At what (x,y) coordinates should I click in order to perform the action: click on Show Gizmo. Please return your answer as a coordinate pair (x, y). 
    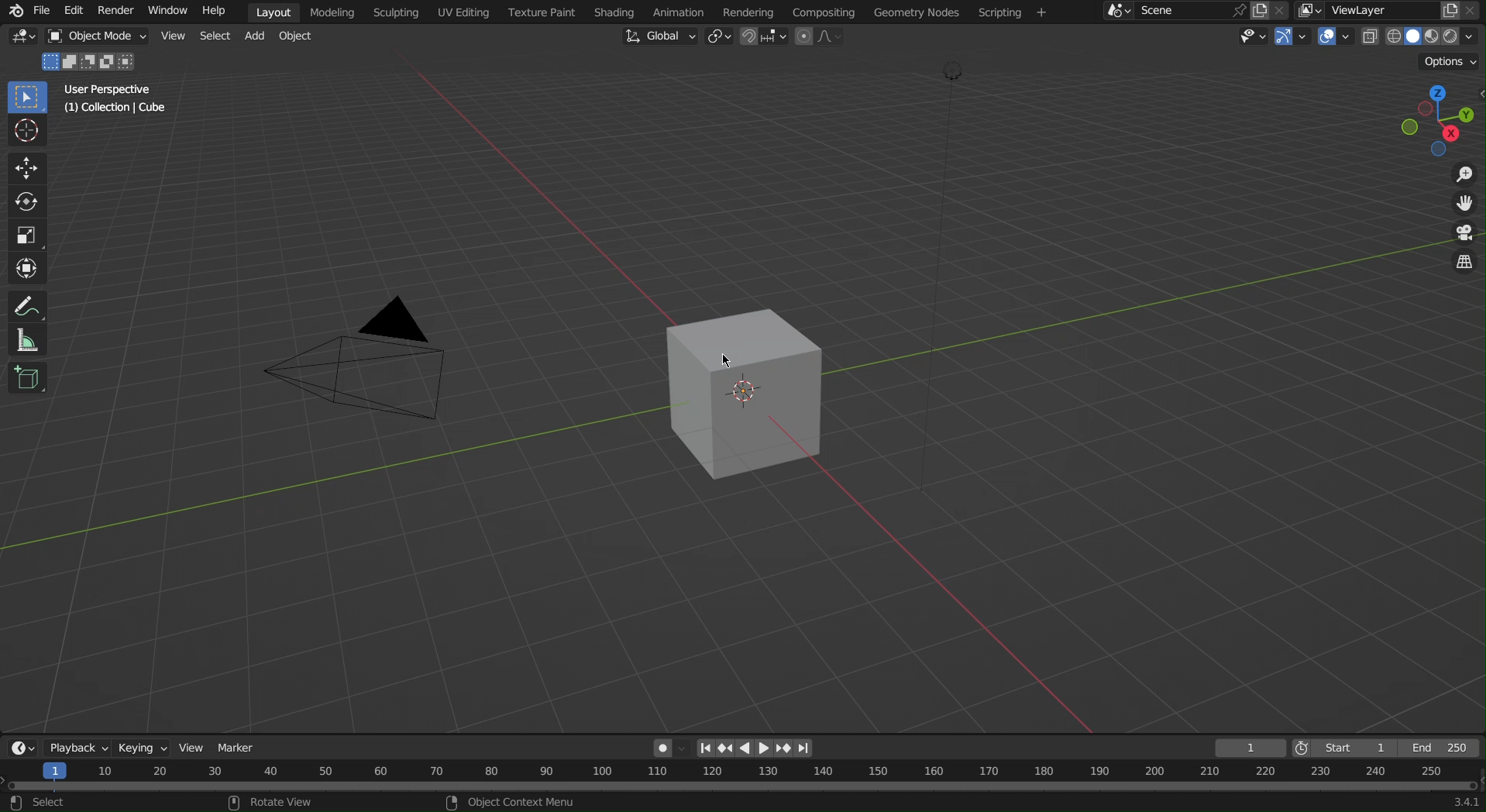
    Looking at the image, I should click on (1293, 38).